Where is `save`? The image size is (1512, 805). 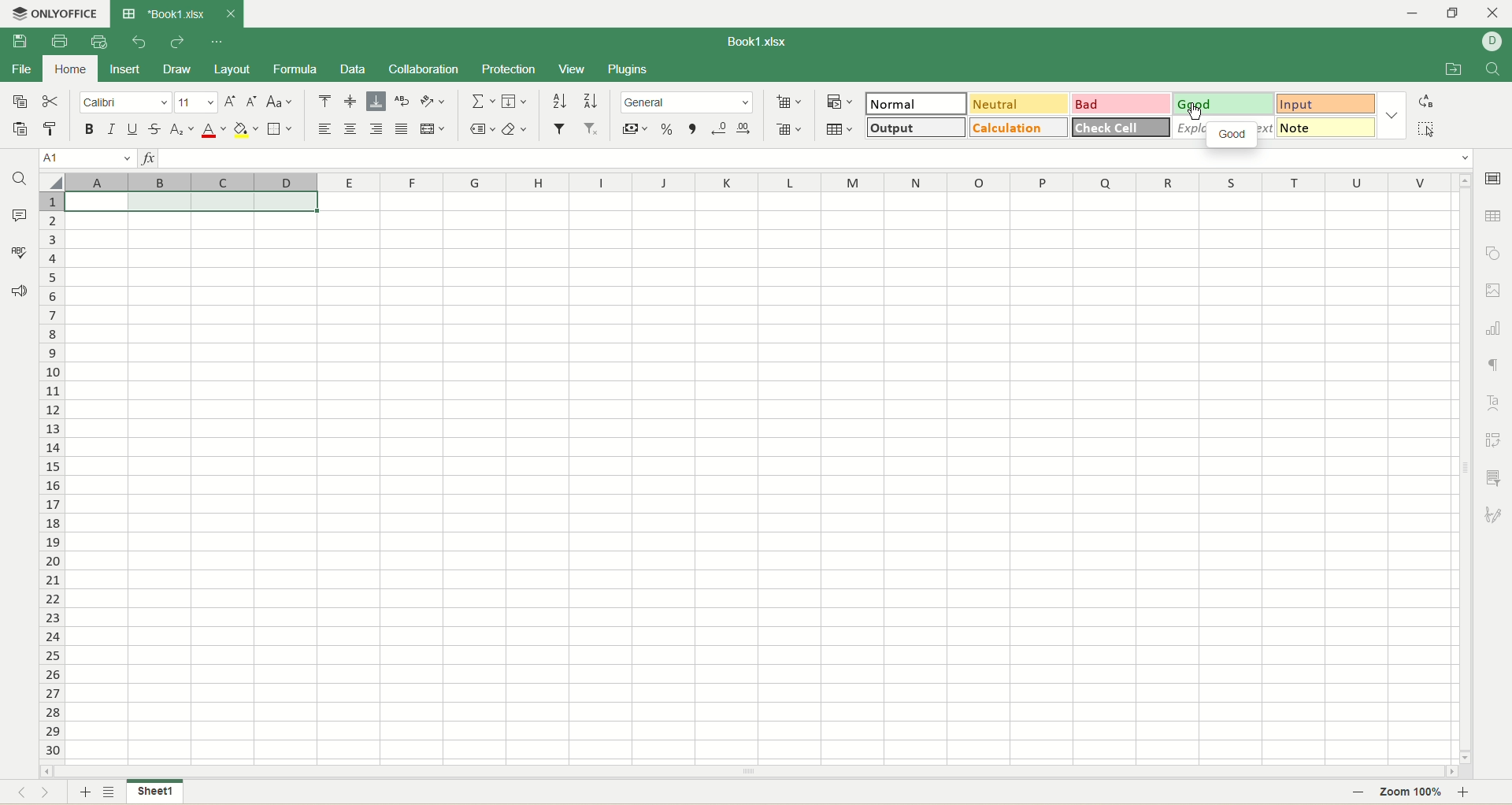 save is located at coordinates (15, 41).